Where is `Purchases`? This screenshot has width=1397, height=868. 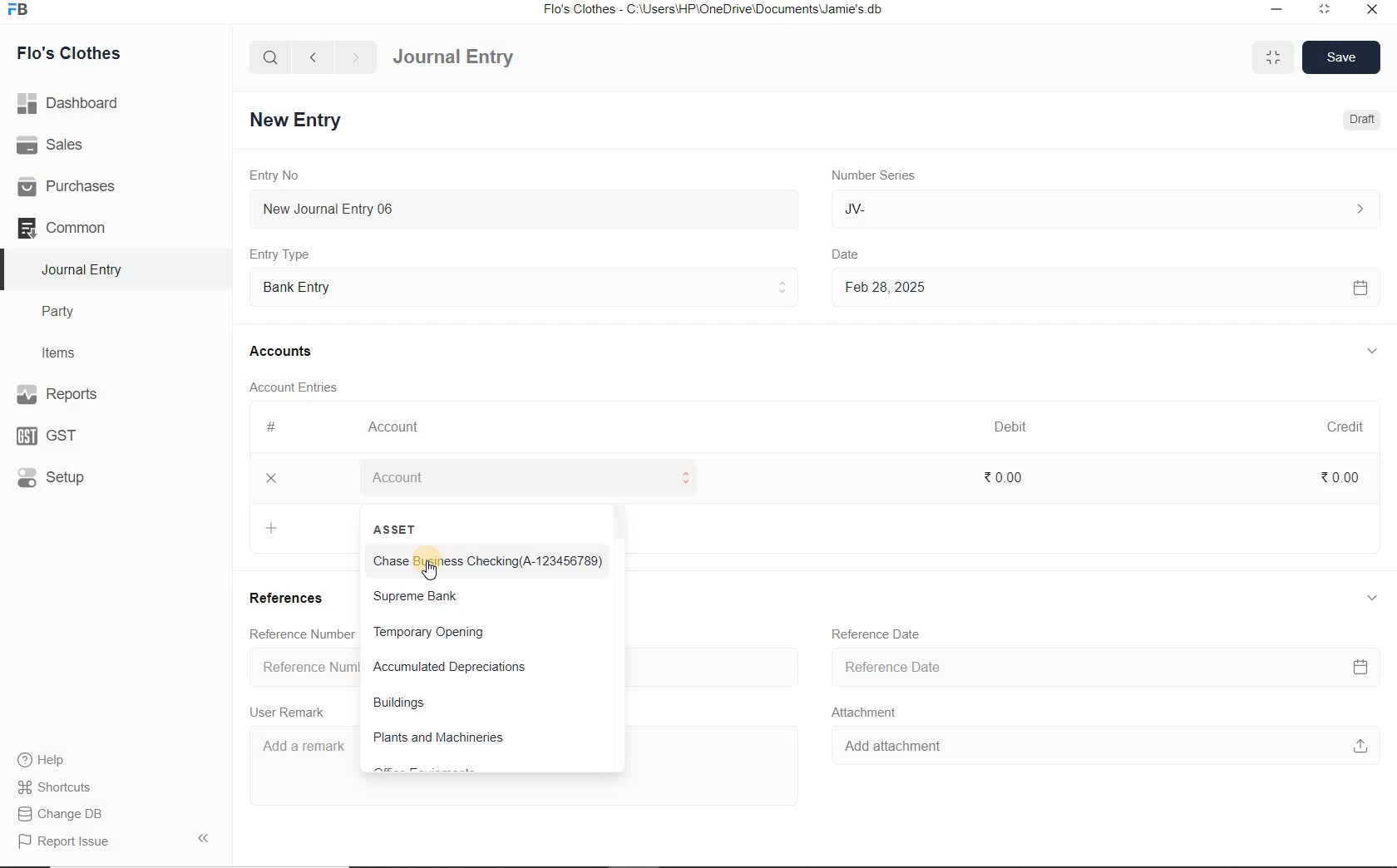
Purchases is located at coordinates (74, 185).